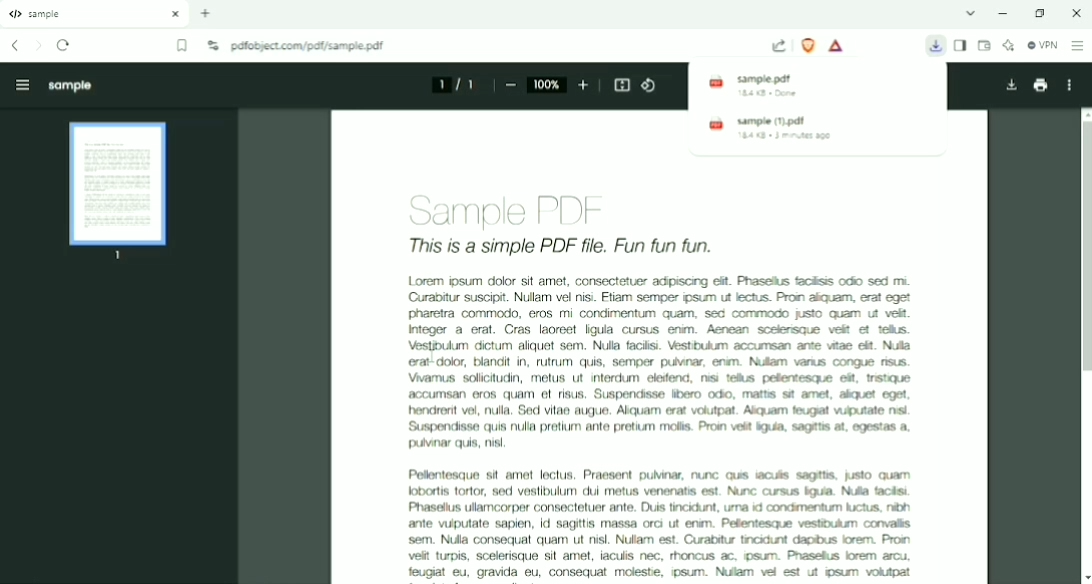  I want to click on Sample.pdf downloaded, so click(819, 85).